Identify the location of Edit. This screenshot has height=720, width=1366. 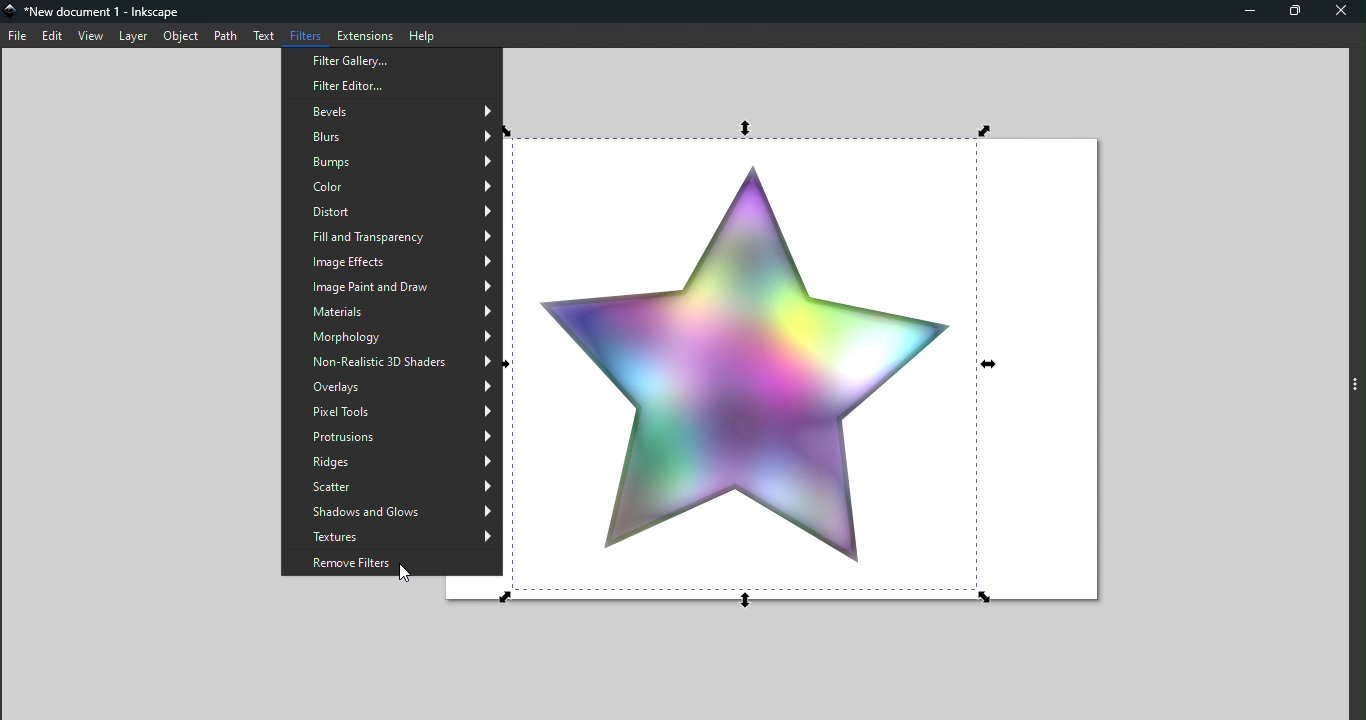
(54, 35).